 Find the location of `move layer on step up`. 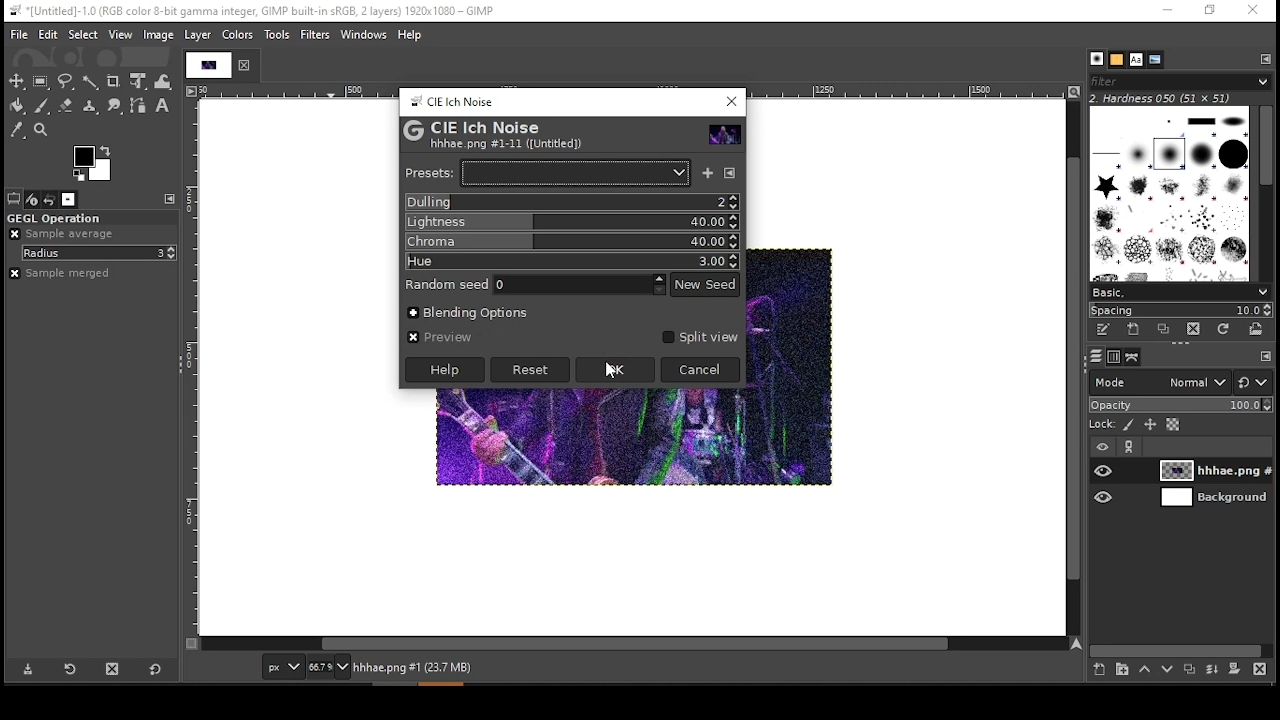

move layer on step up is located at coordinates (1148, 670).